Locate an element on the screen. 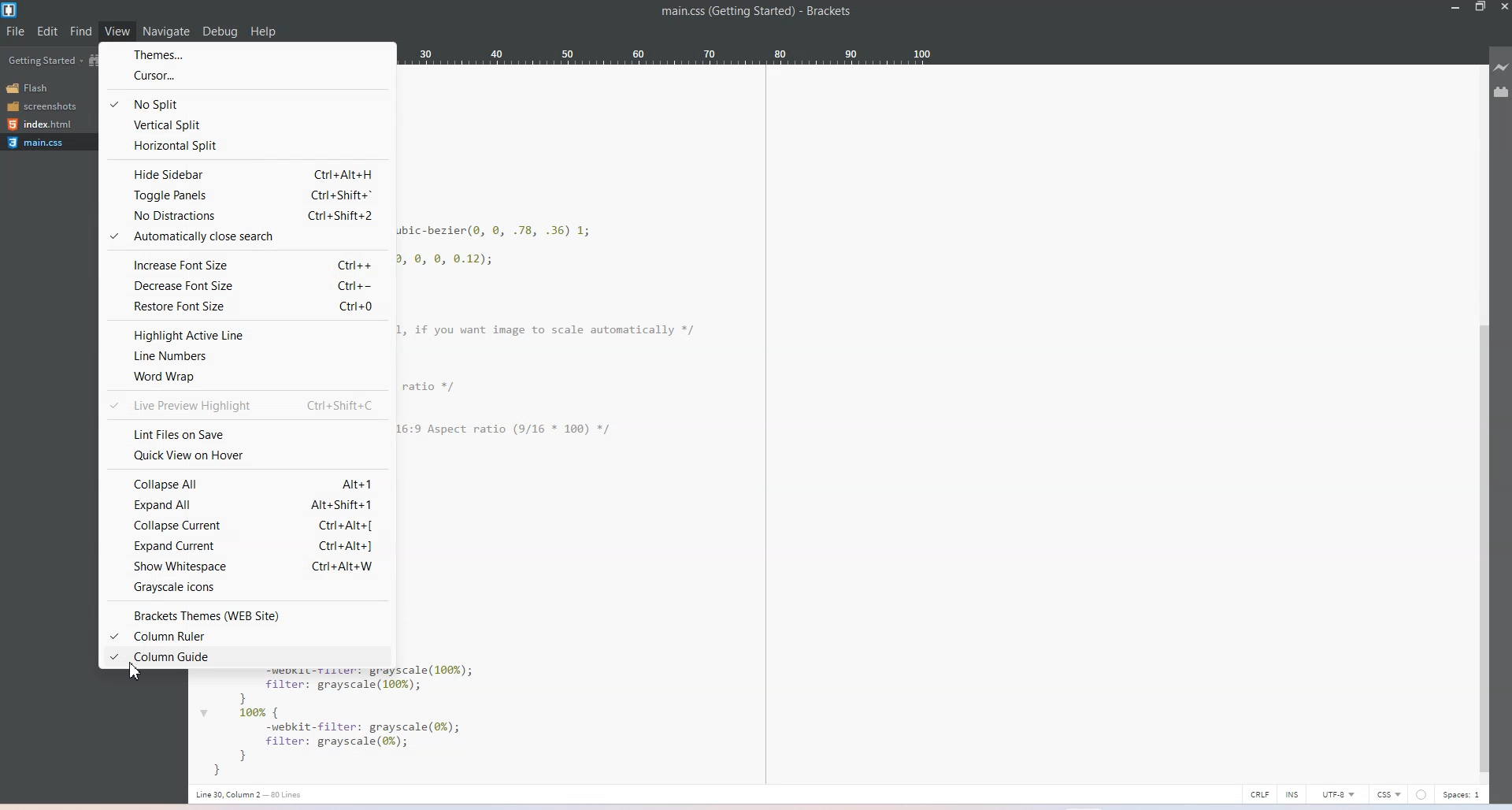 This screenshot has height=810, width=1512. Collapse current is located at coordinates (247, 525).